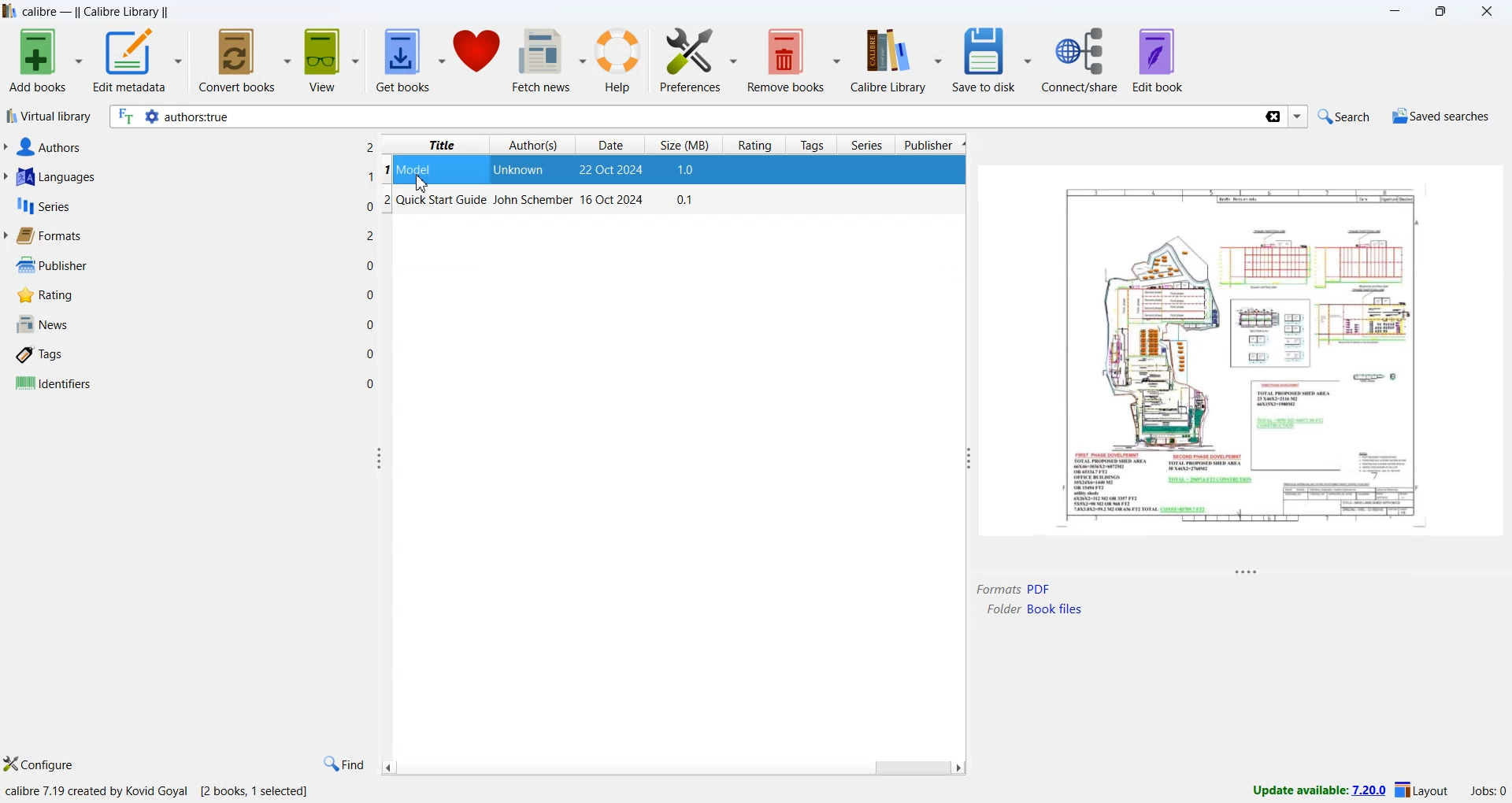  Describe the element at coordinates (42, 12) in the screenshot. I see `app name` at that location.